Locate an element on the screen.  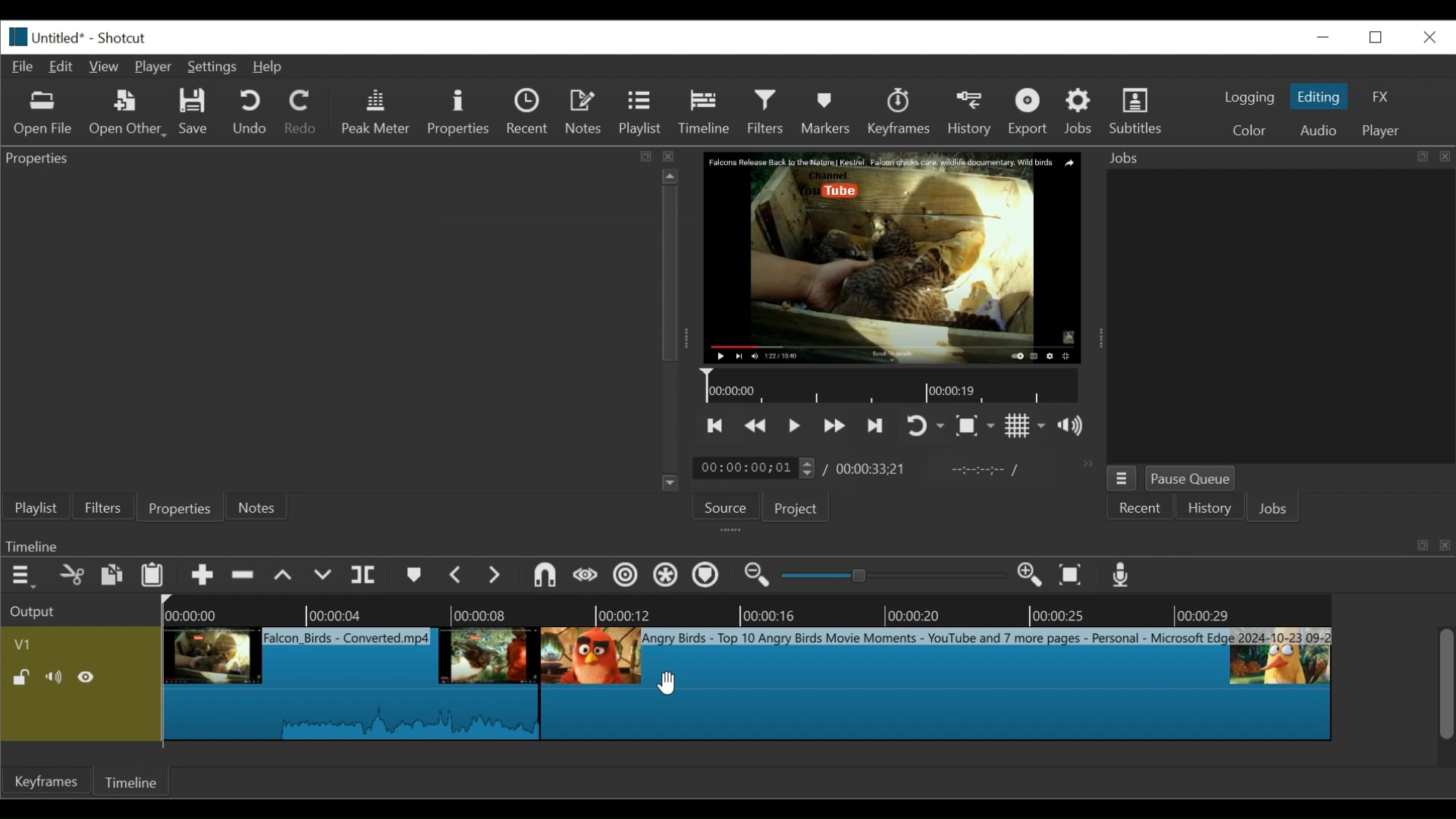
Jobs is located at coordinates (1278, 509).